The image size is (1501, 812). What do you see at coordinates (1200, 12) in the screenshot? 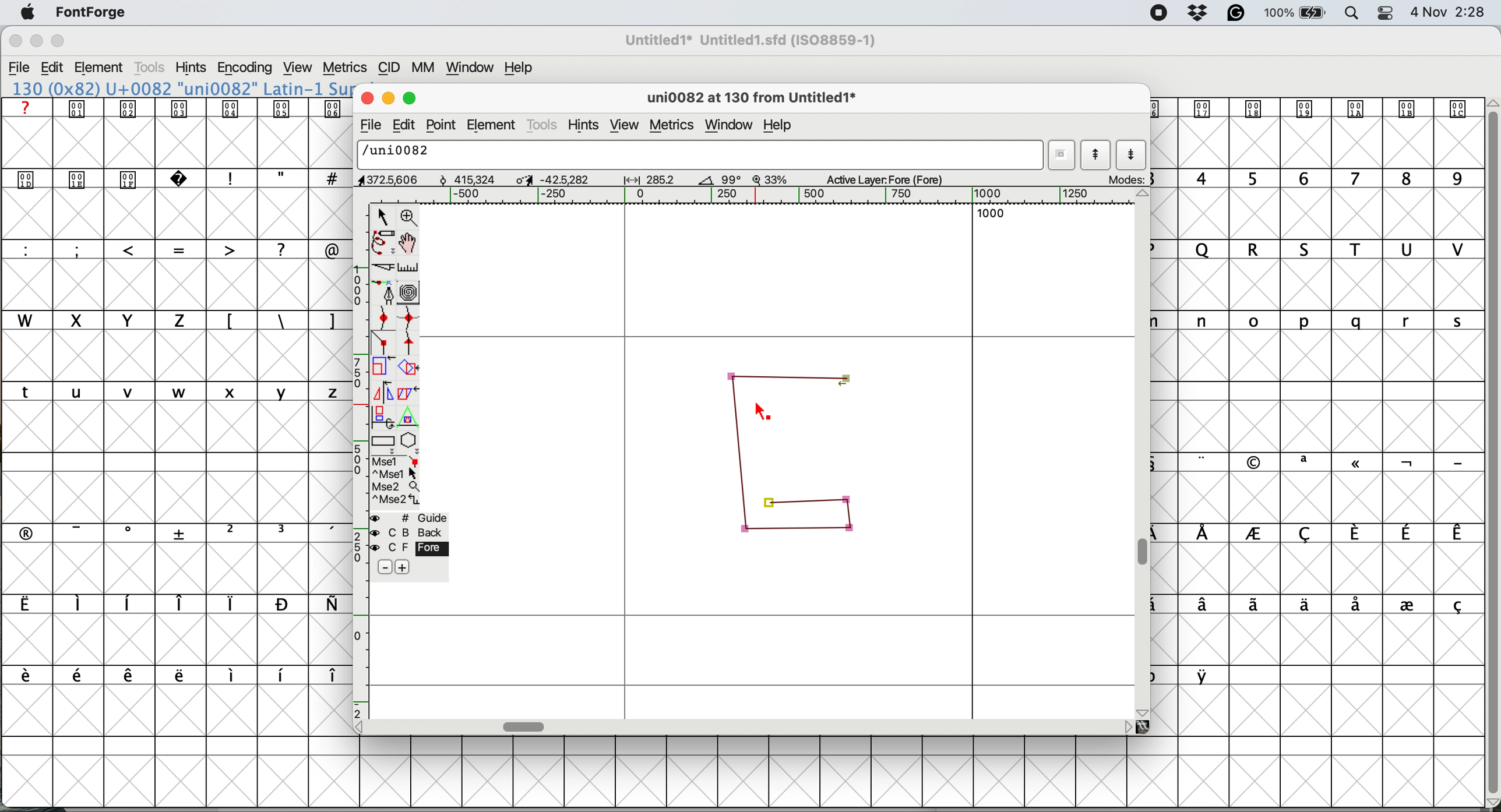
I see `dropbox` at bounding box center [1200, 12].